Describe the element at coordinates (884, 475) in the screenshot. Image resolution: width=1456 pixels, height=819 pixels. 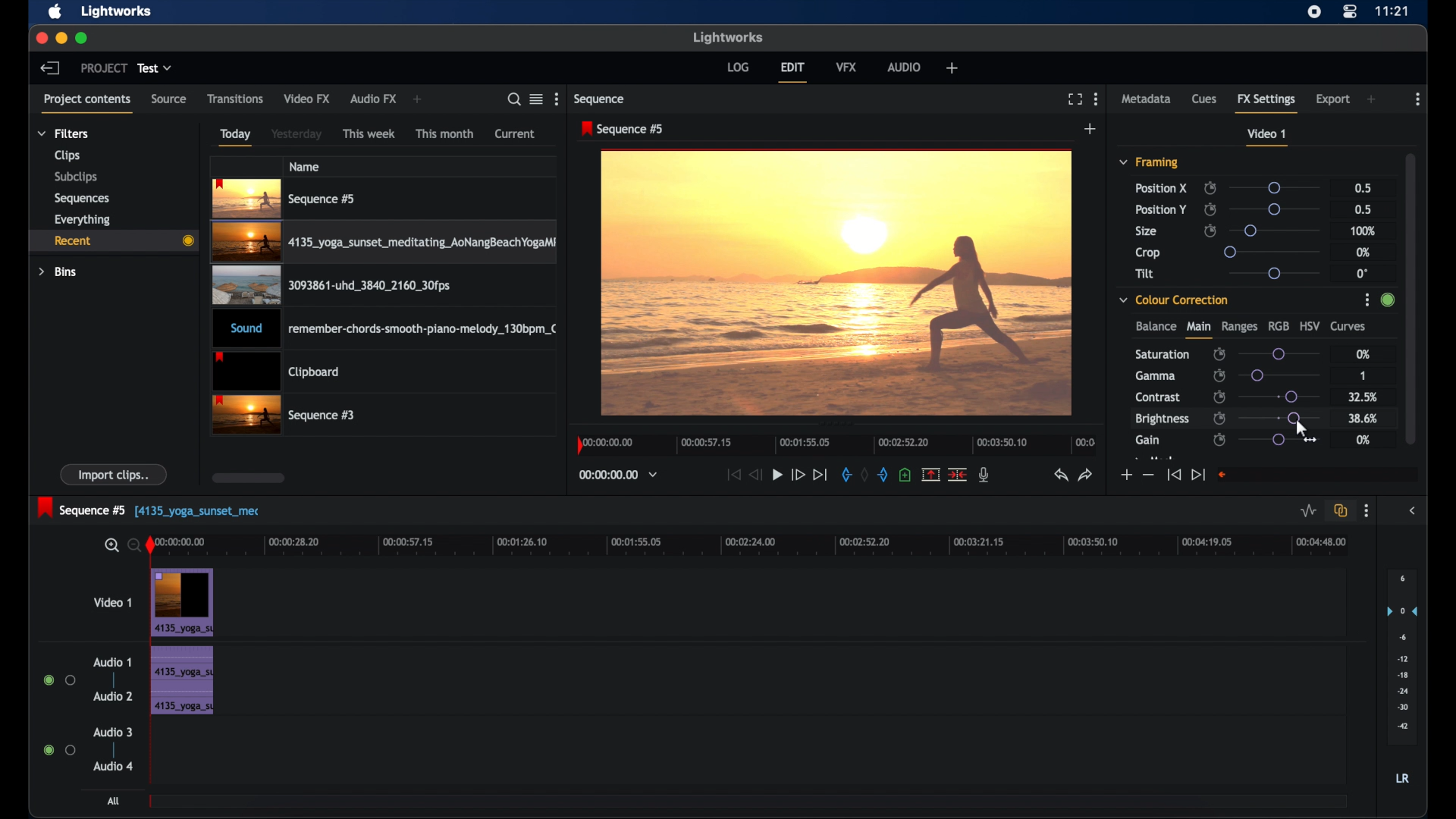
I see `out mark` at that location.